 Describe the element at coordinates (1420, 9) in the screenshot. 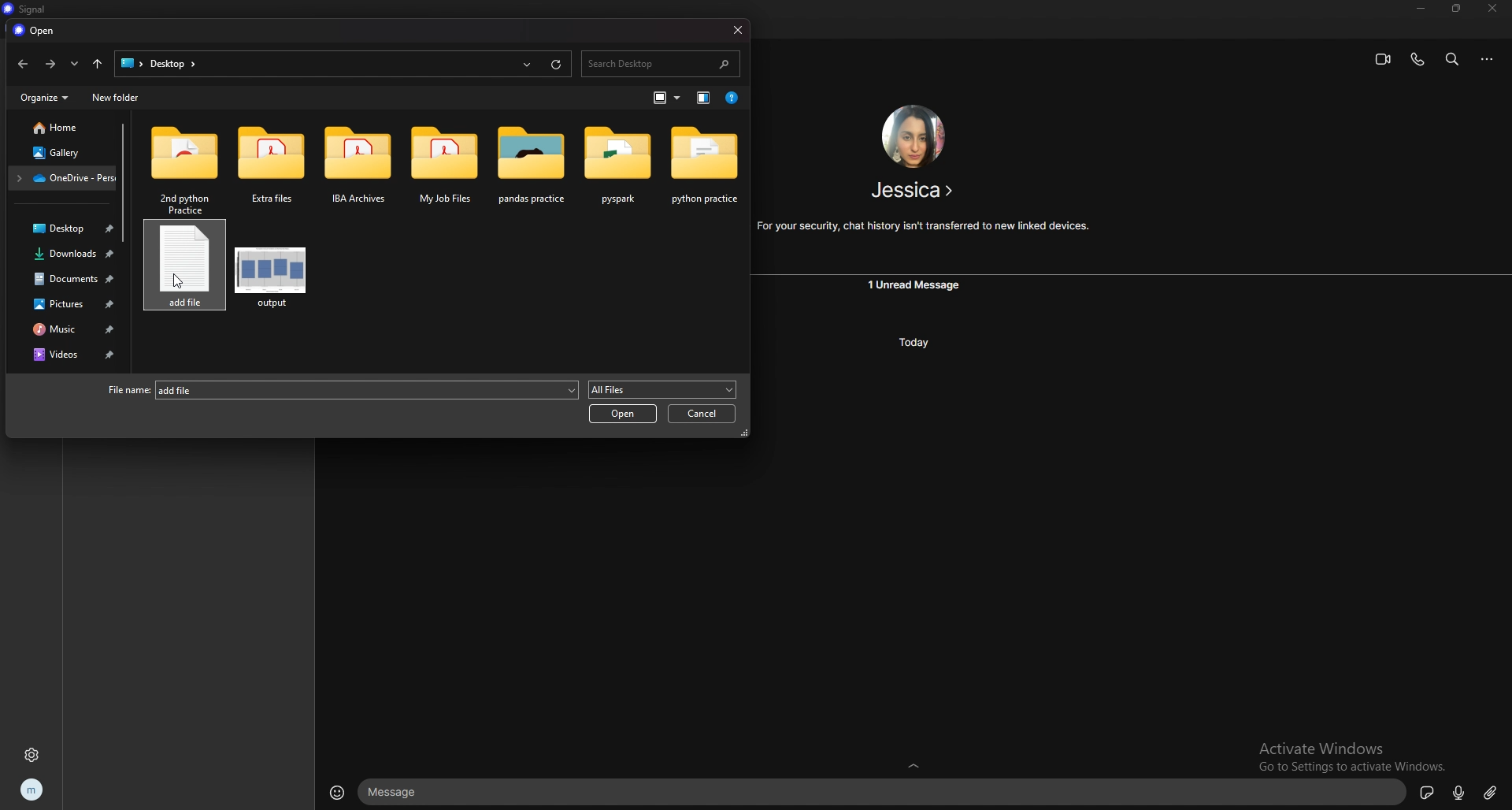

I see `minimize` at that location.